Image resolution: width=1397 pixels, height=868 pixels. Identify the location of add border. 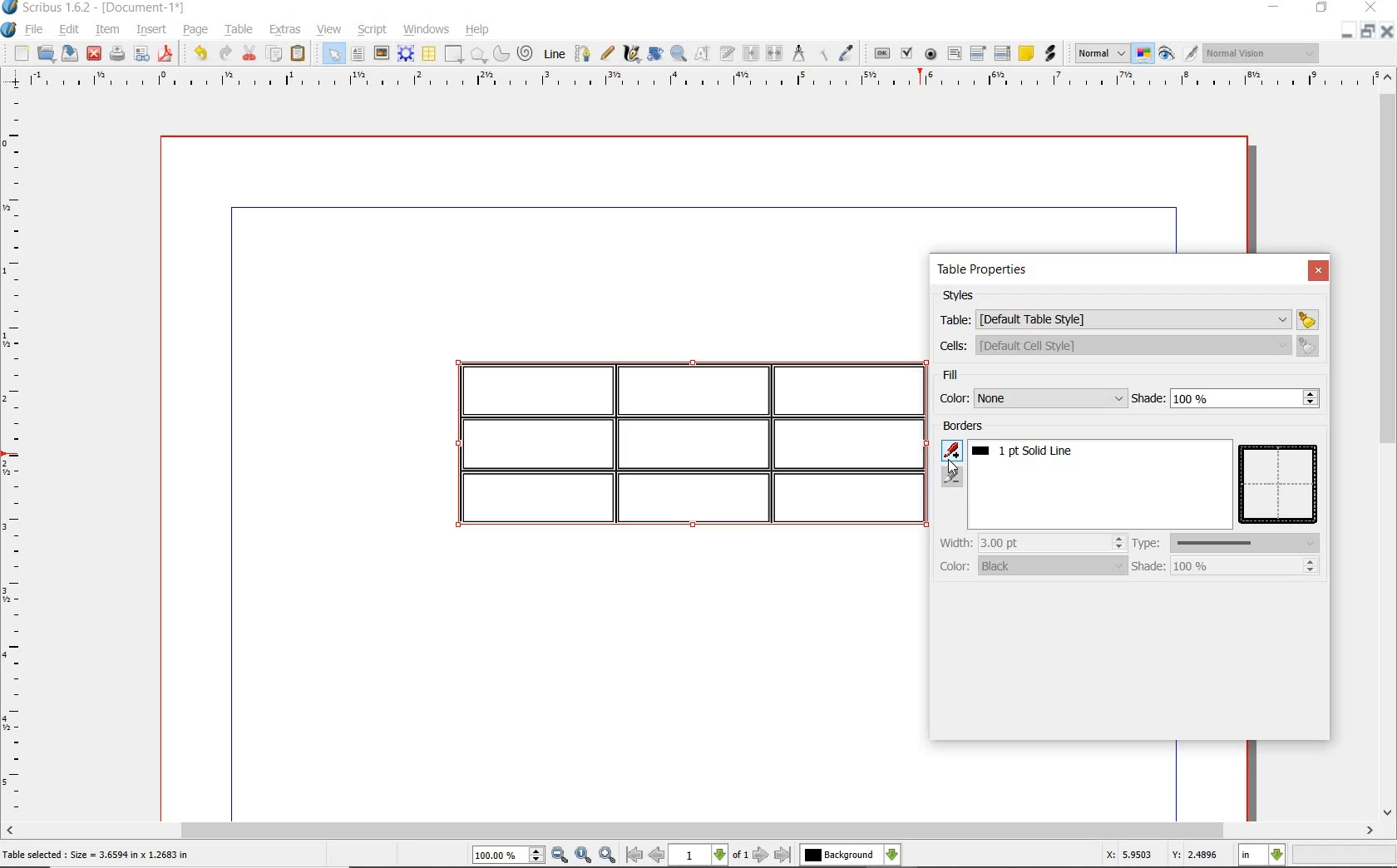
(954, 450).